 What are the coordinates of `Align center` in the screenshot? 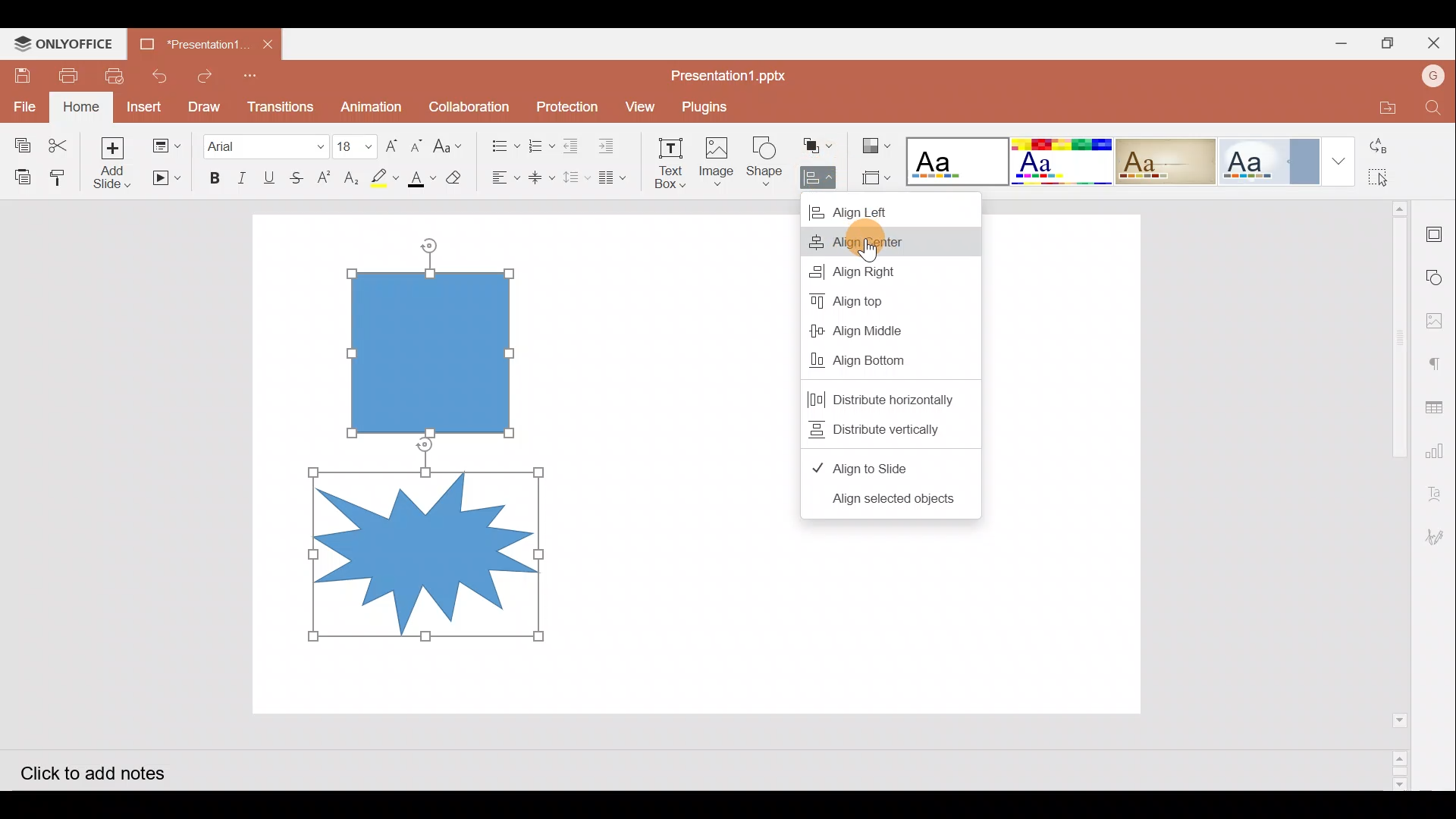 It's located at (889, 237).